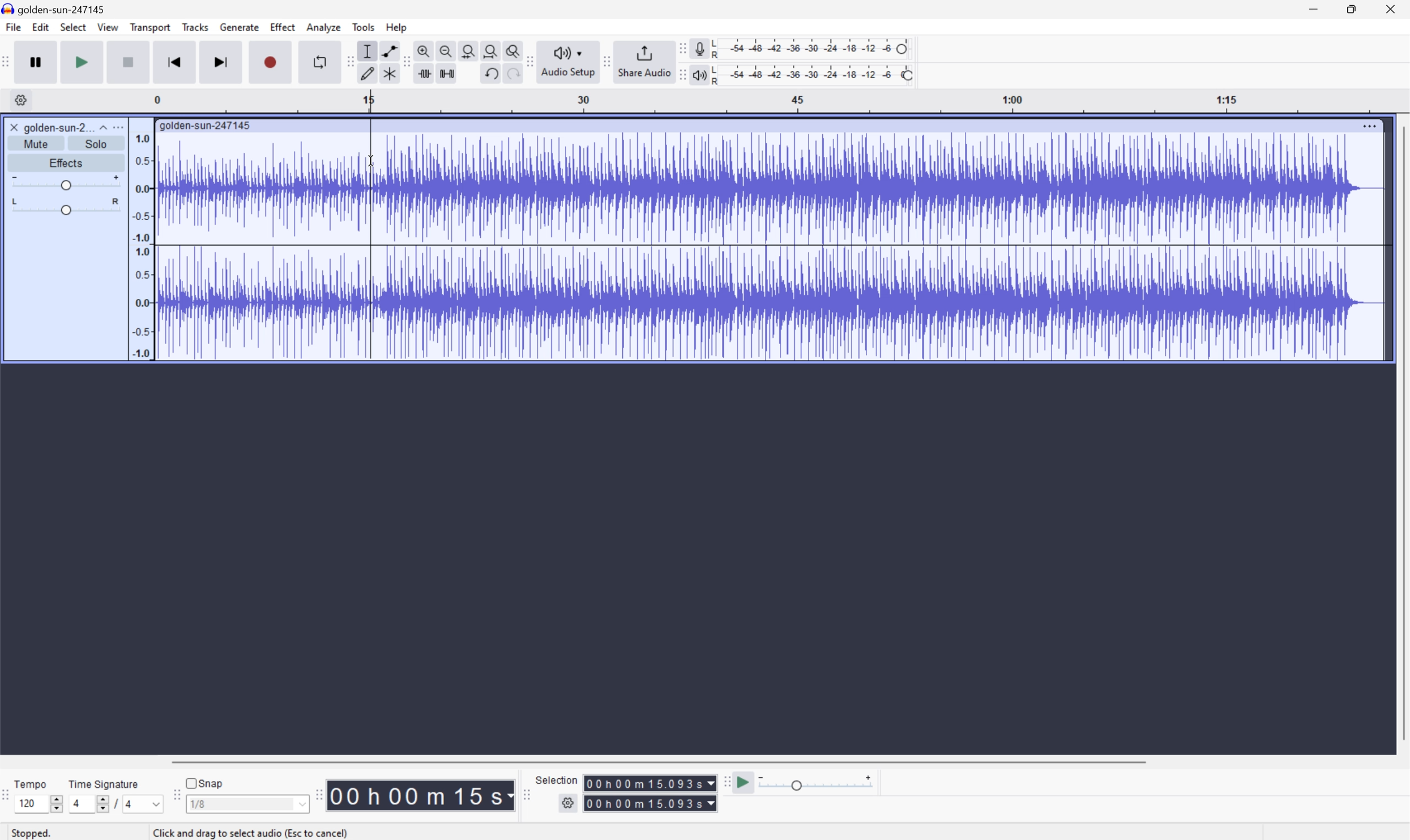 Image resolution: width=1410 pixels, height=840 pixels. What do you see at coordinates (57, 8) in the screenshot?
I see `golden-sun-247145` at bounding box center [57, 8].